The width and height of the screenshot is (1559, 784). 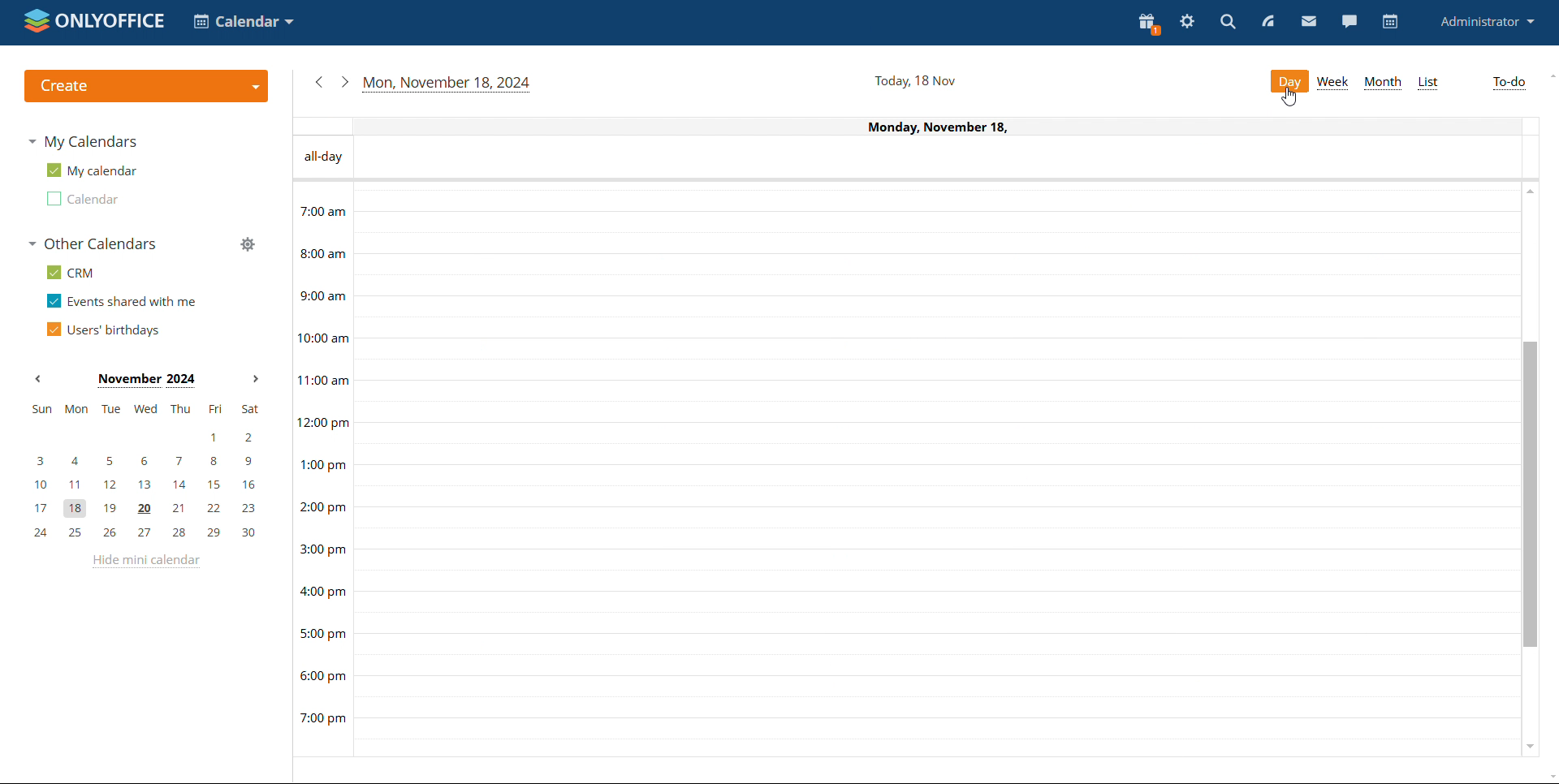 What do you see at coordinates (248, 244) in the screenshot?
I see `manage` at bounding box center [248, 244].